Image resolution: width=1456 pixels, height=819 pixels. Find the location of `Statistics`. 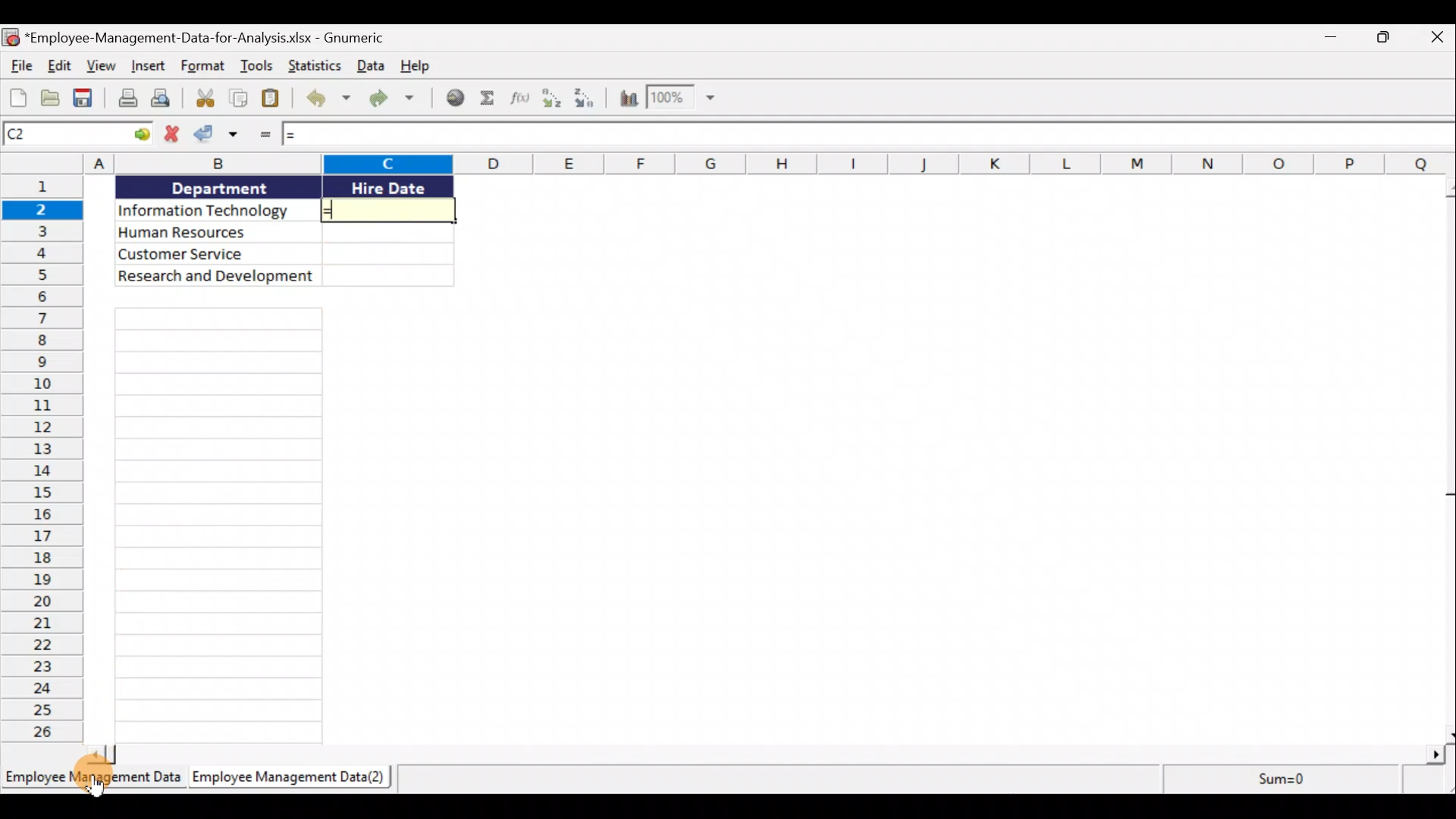

Statistics is located at coordinates (313, 65).